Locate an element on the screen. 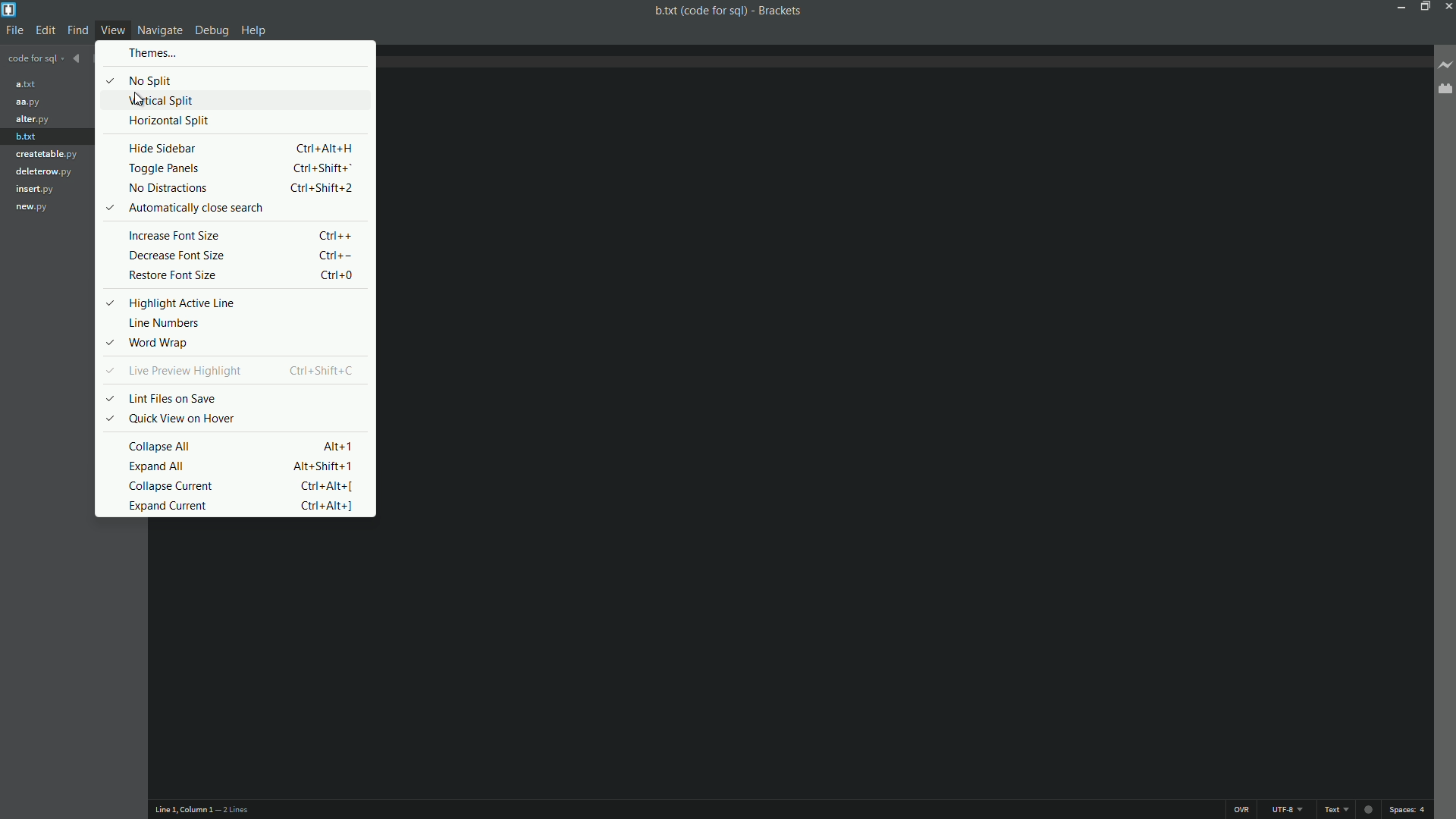 This screenshot has height=819, width=1456. Live preview is located at coordinates (1445, 67).